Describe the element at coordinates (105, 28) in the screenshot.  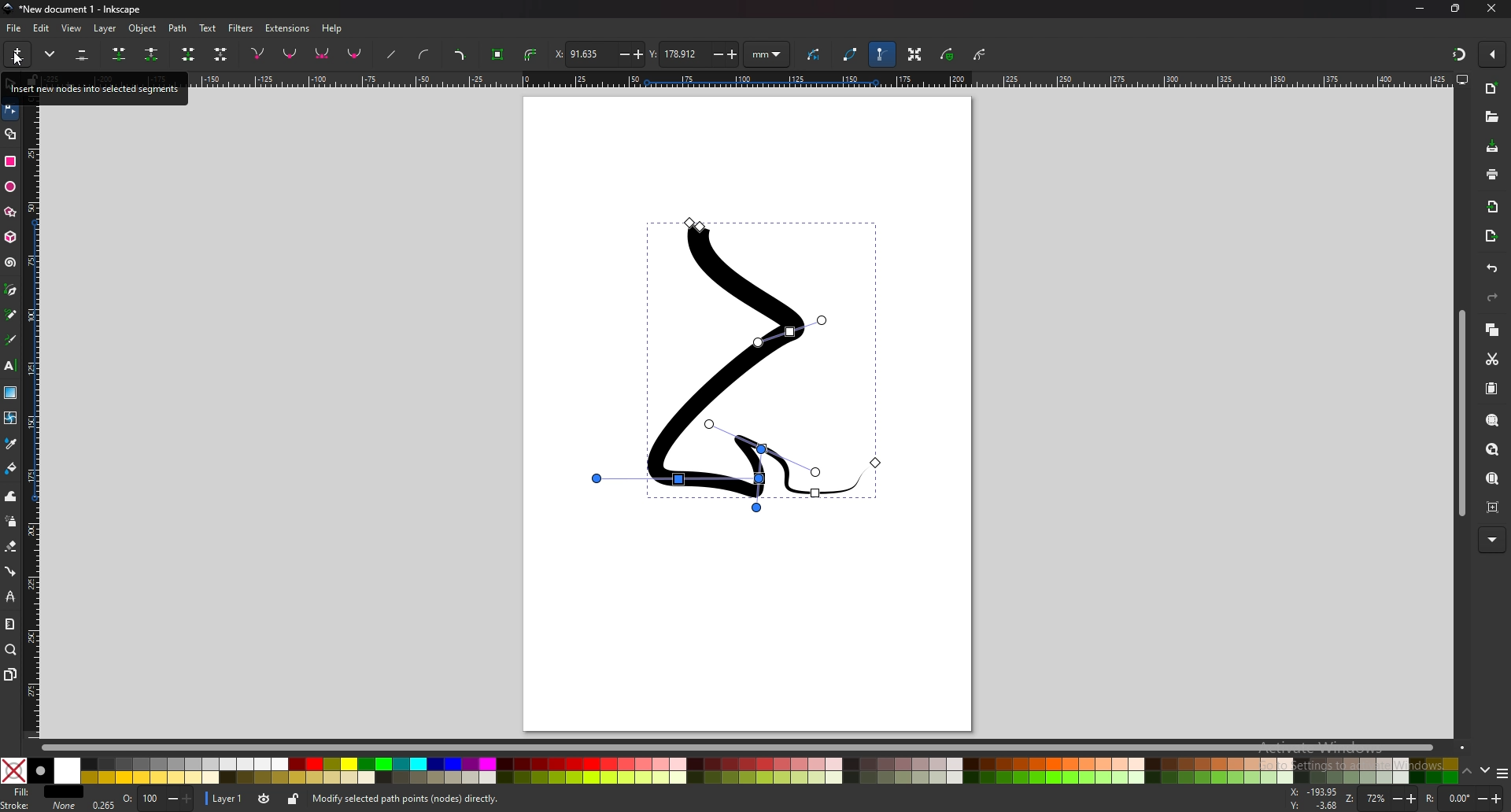
I see `layer` at that location.